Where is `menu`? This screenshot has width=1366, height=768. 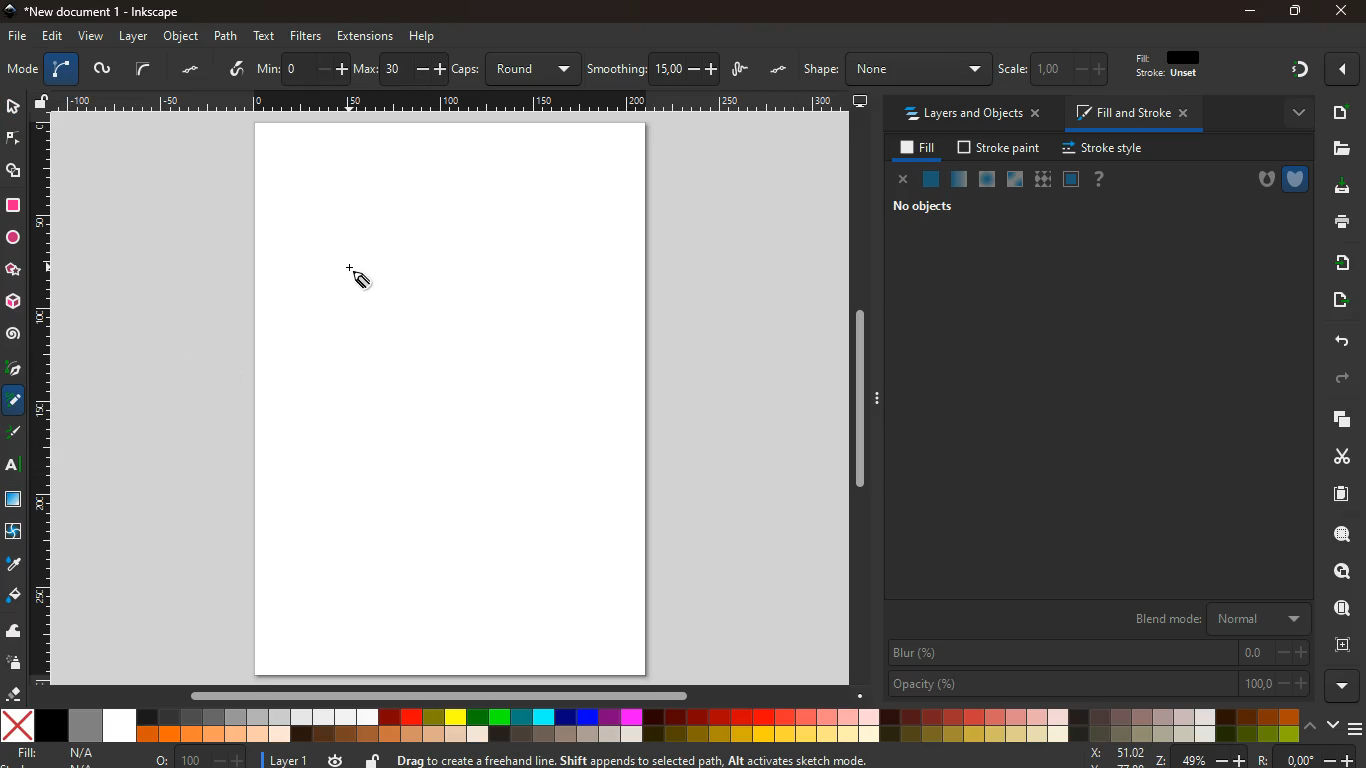
menu is located at coordinates (1357, 726).